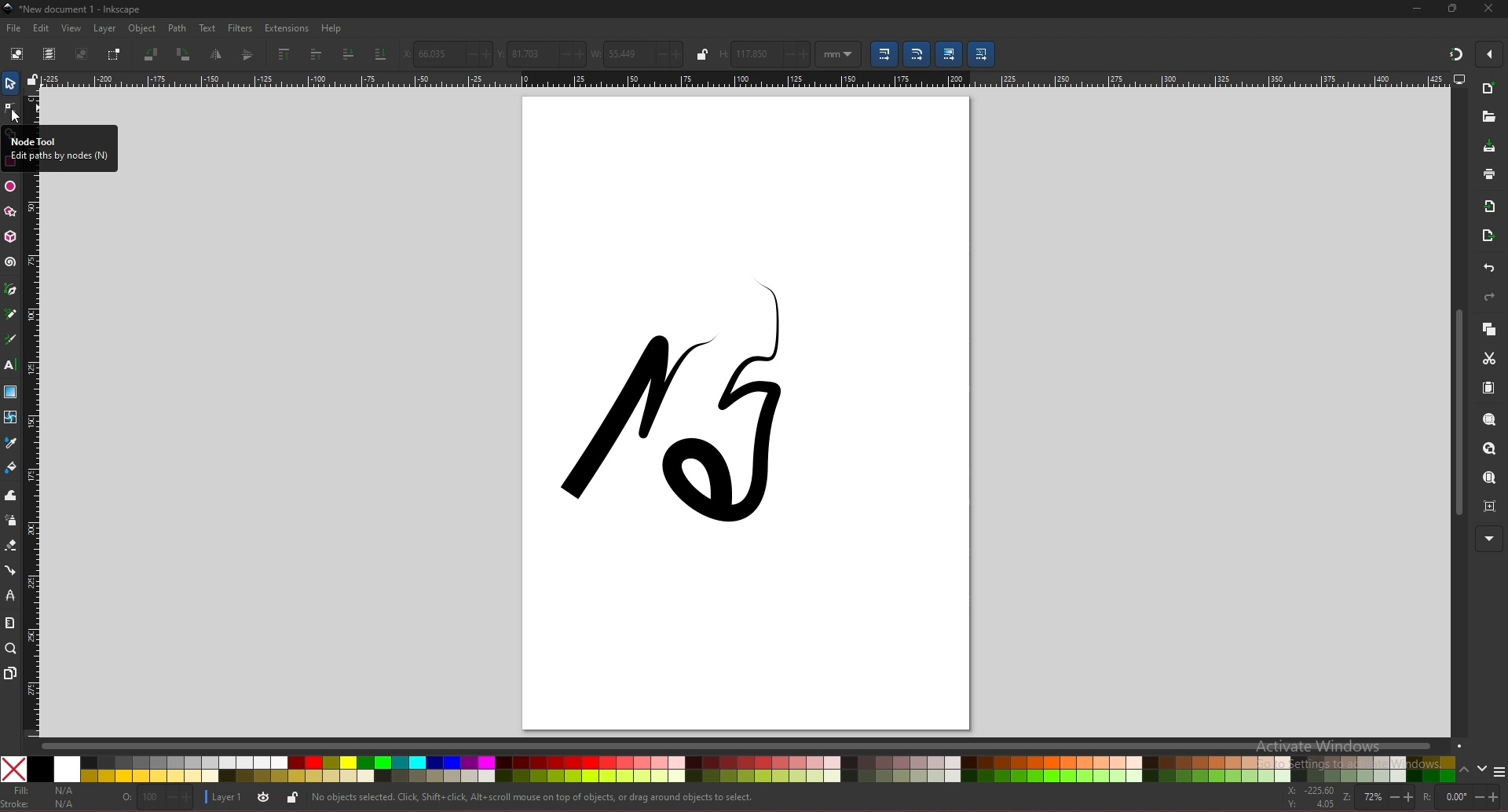  Describe the element at coordinates (13, 288) in the screenshot. I see `pen` at that location.